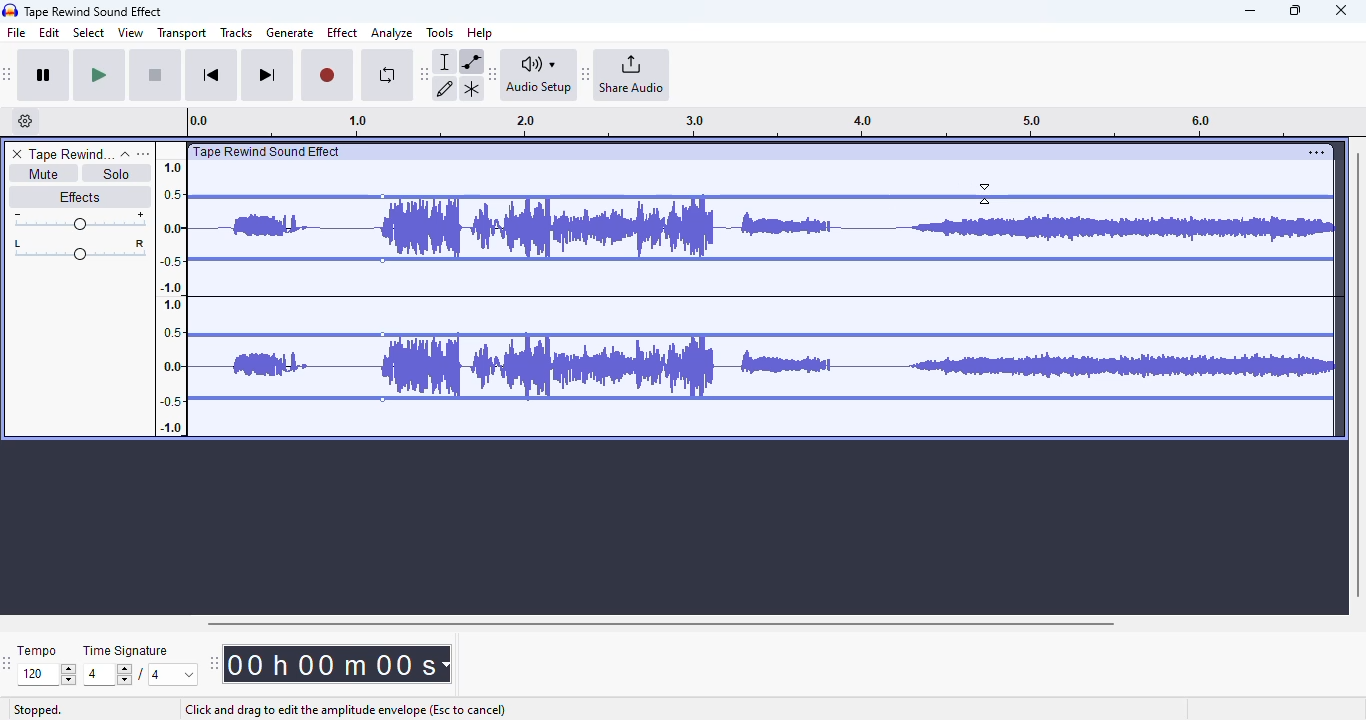 This screenshot has height=720, width=1366. What do you see at coordinates (174, 674) in the screenshot?
I see `Max. time signature options` at bounding box center [174, 674].